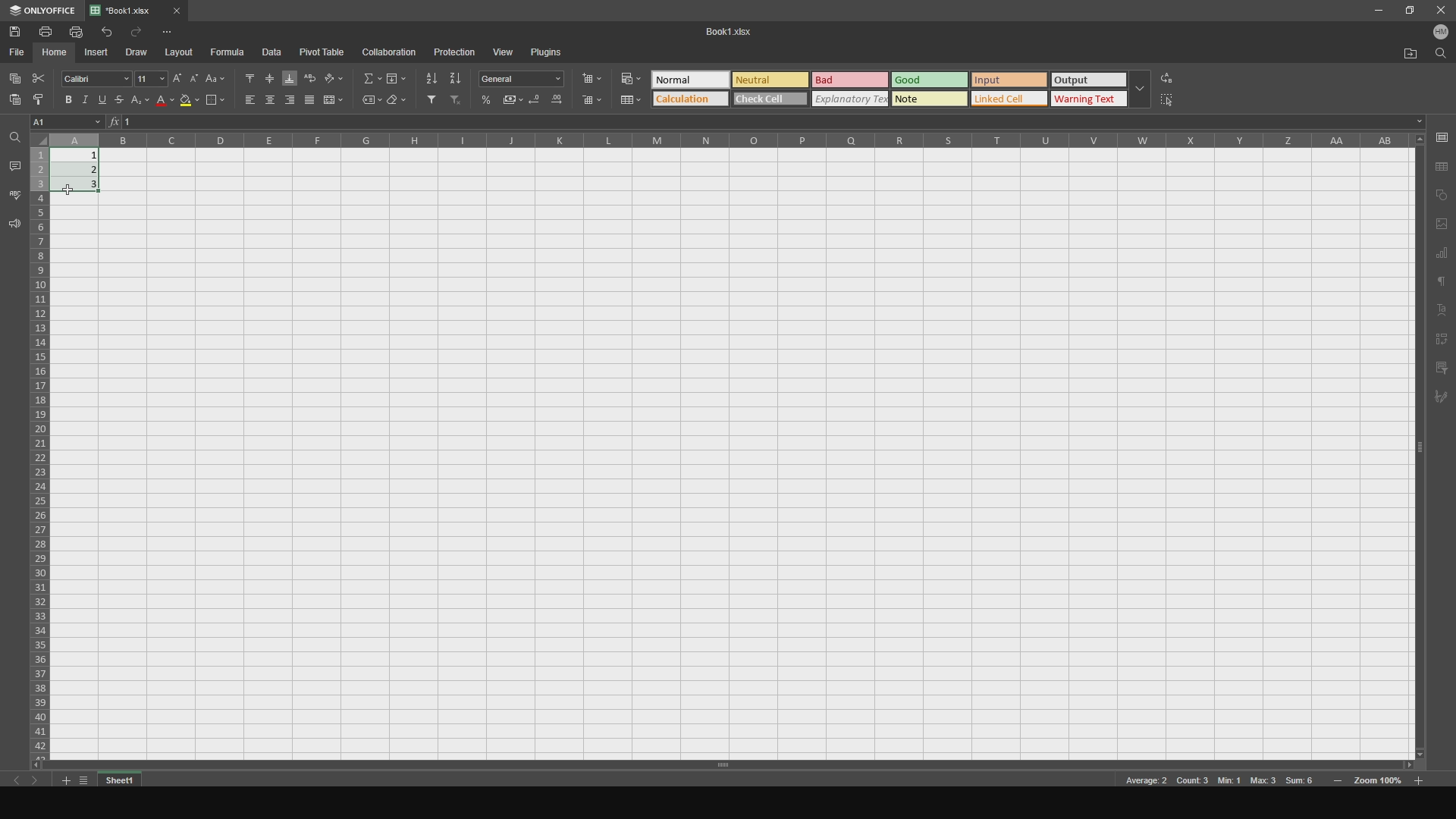 Image resolution: width=1456 pixels, height=819 pixels. What do you see at coordinates (81, 169) in the screenshot?
I see `completed cells` at bounding box center [81, 169].